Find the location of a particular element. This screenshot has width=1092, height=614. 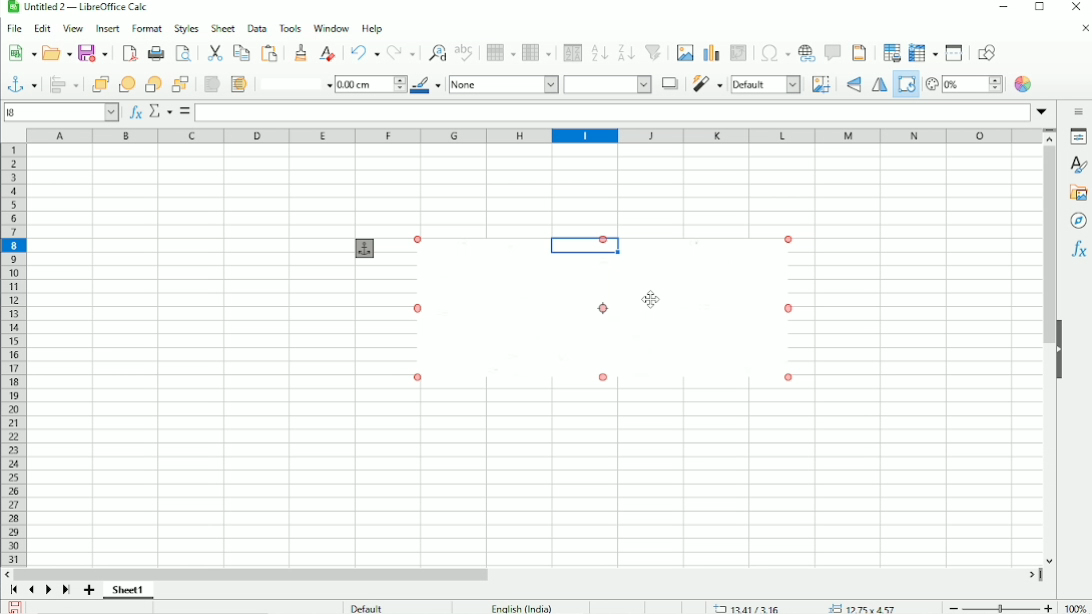

Tools is located at coordinates (291, 29).